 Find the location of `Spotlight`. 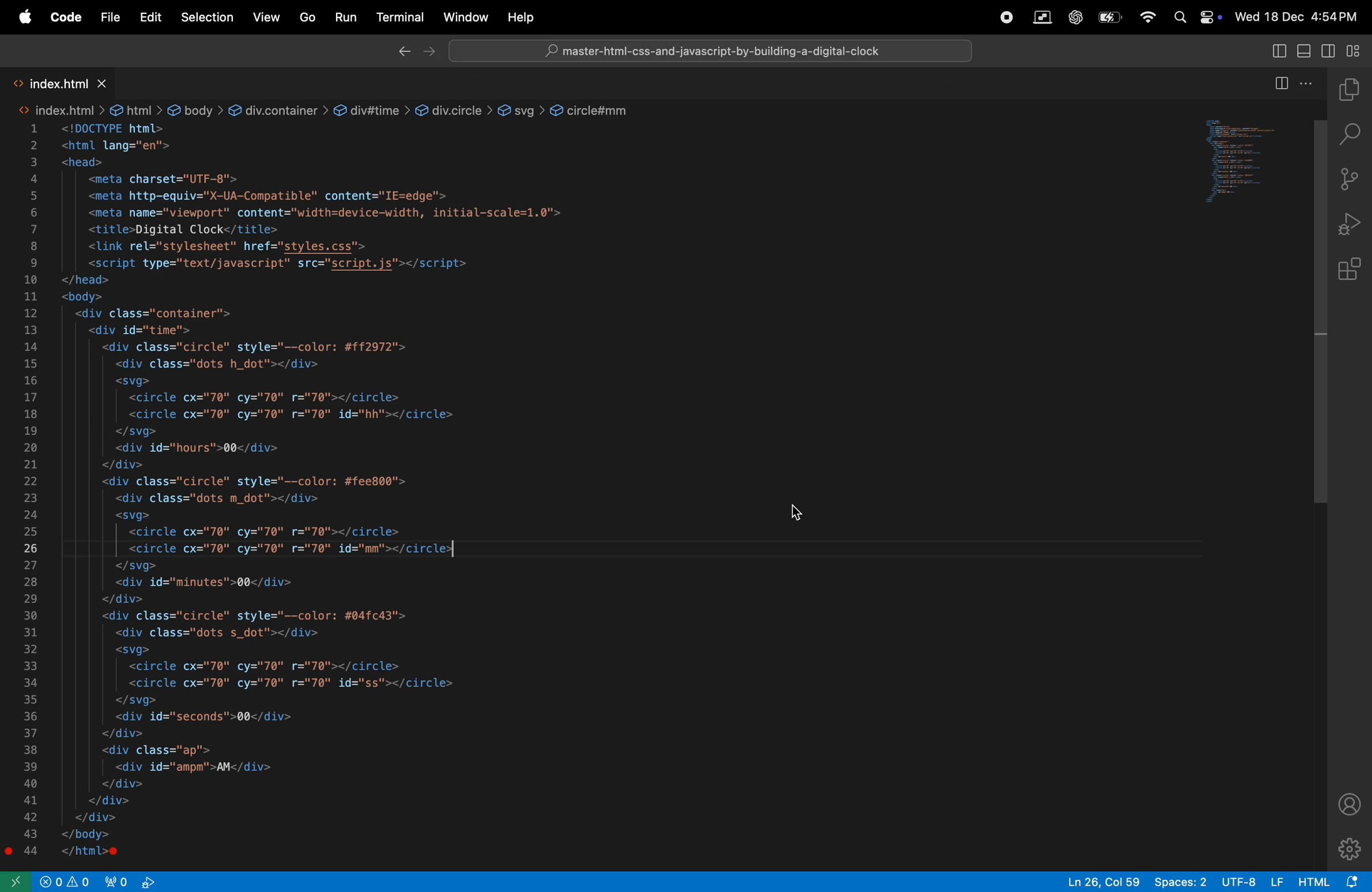

Spotlight is located at coordinates (1177, 19).